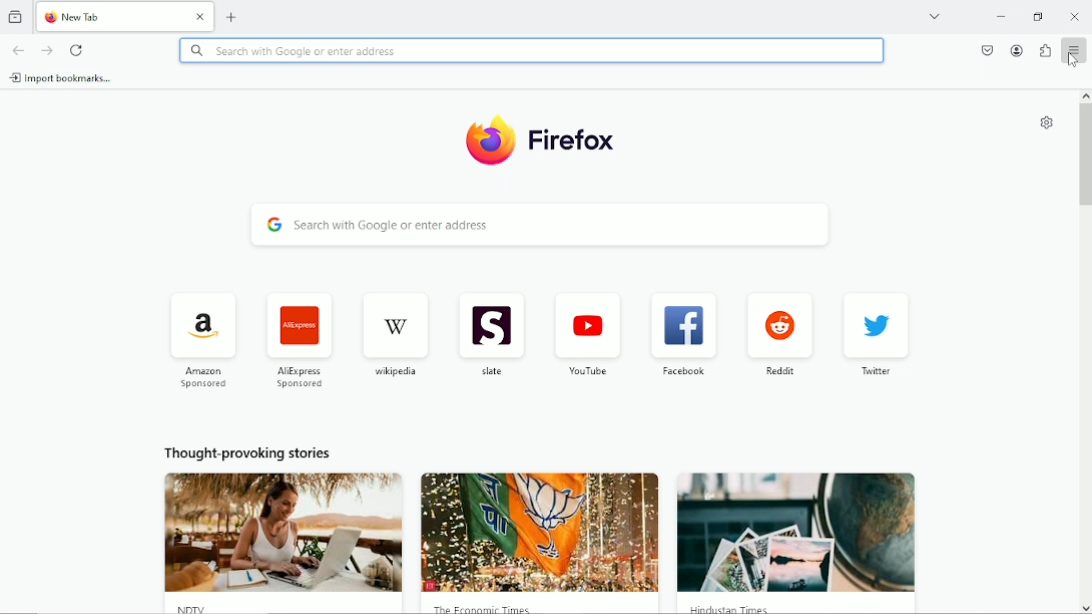 The image size is (1092, 614). I want to click on AliExpress, so click(299, 382).